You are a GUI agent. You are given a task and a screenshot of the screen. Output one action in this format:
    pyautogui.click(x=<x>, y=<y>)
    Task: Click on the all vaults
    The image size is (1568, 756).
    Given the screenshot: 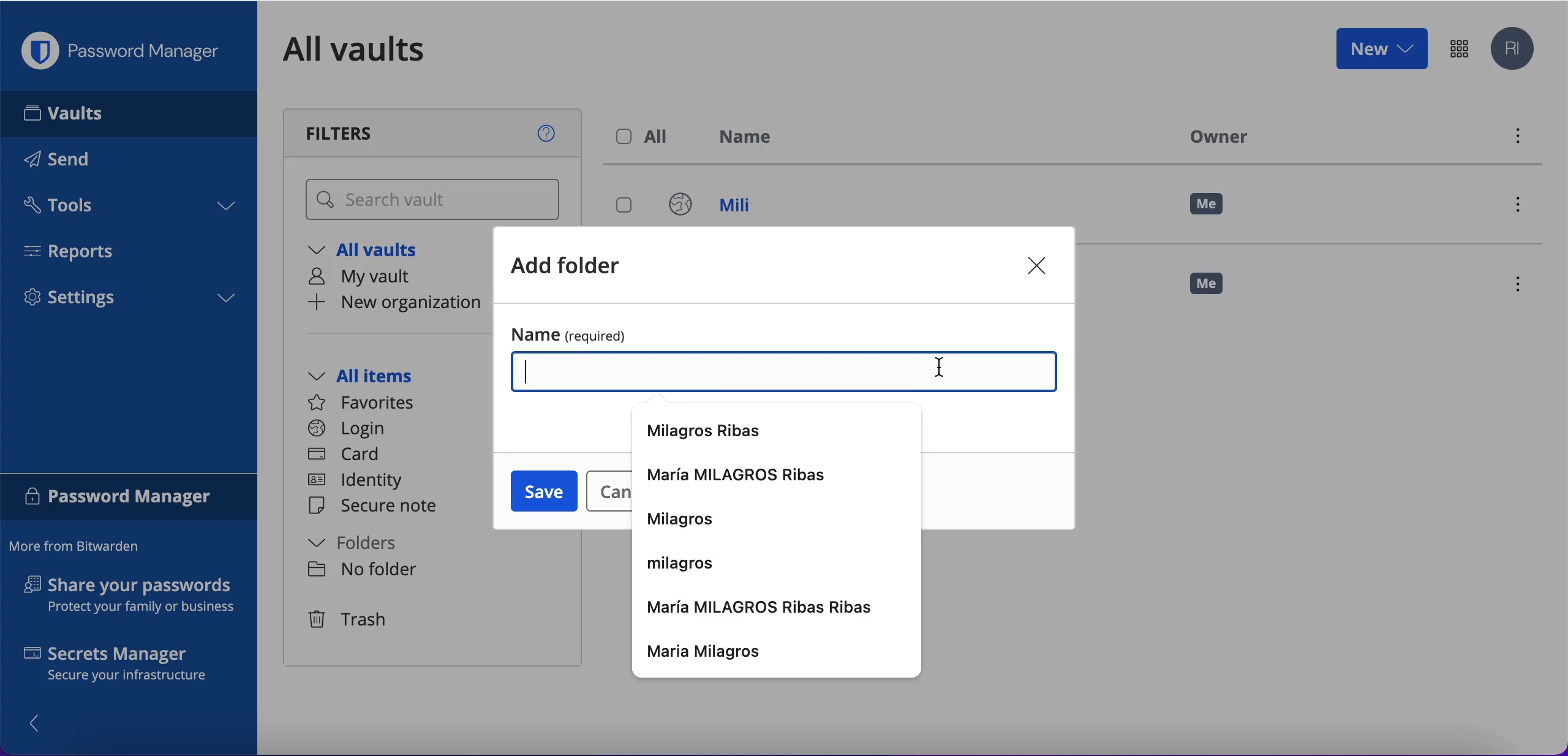 What is the action you would take?
    pyautogui.click(x=372, y=49)
    